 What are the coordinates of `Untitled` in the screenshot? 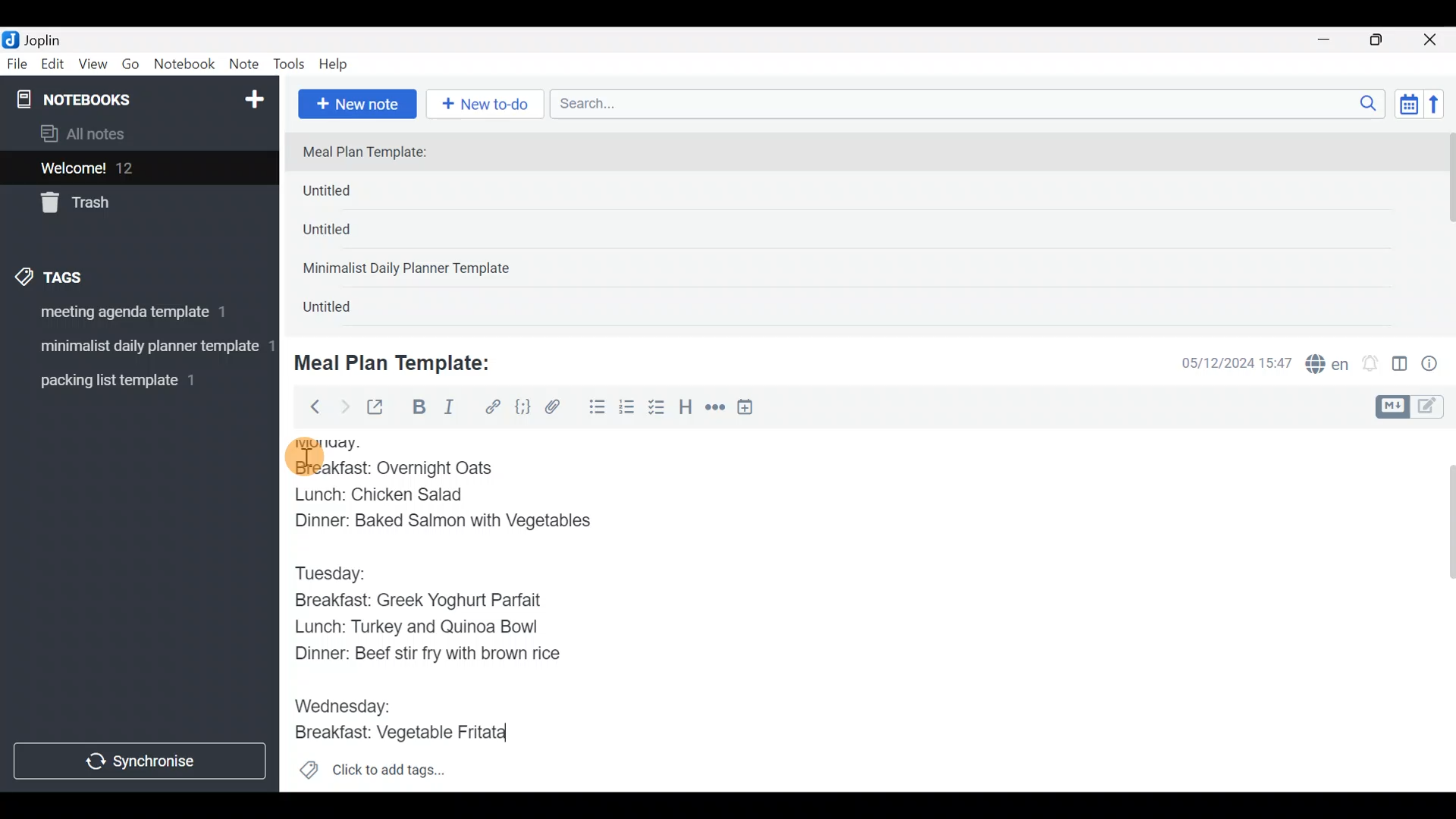 It's located at (352, 194).